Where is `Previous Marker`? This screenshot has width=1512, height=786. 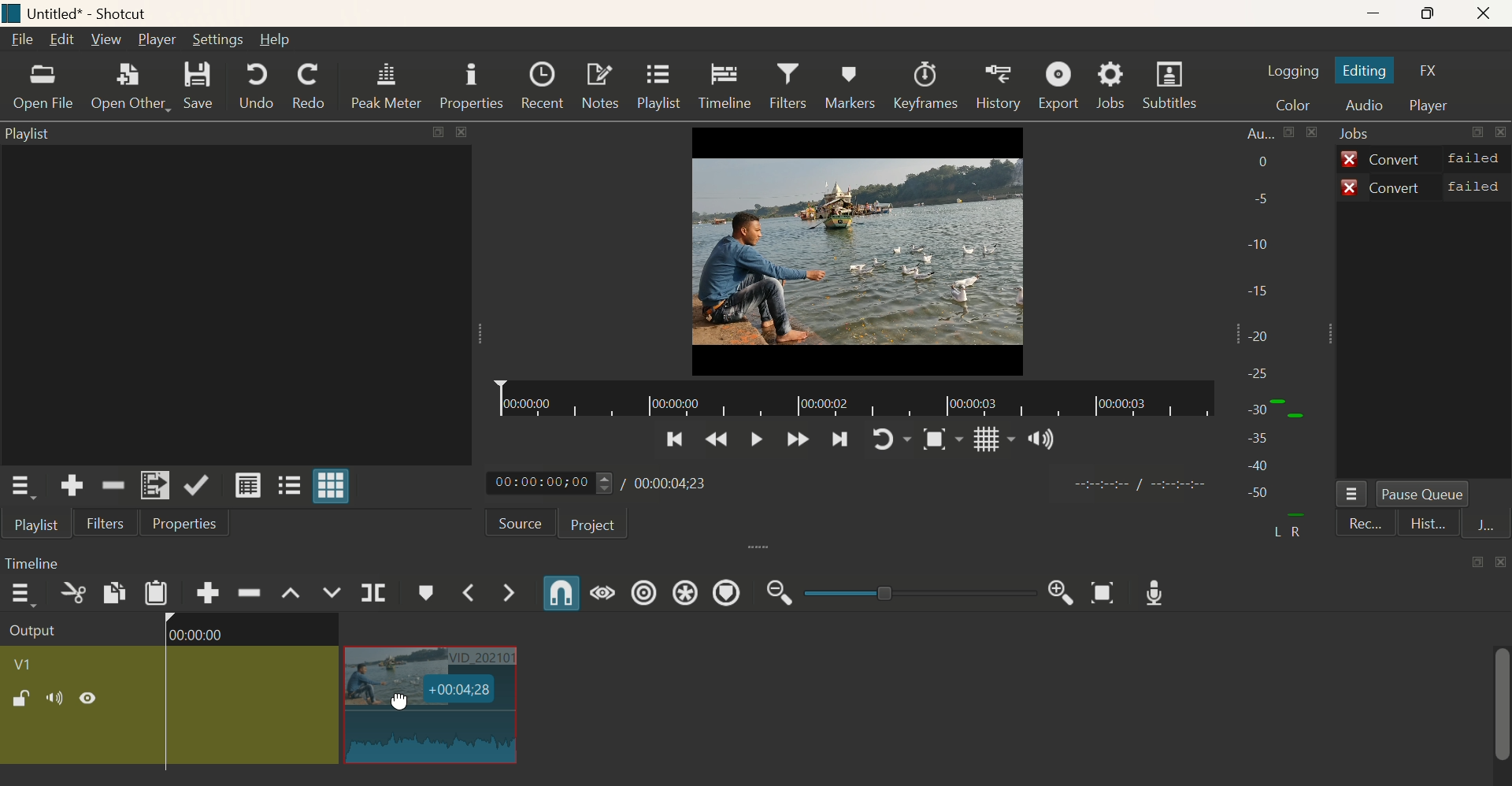
Previous Marker is located at coordinates (477, 593).